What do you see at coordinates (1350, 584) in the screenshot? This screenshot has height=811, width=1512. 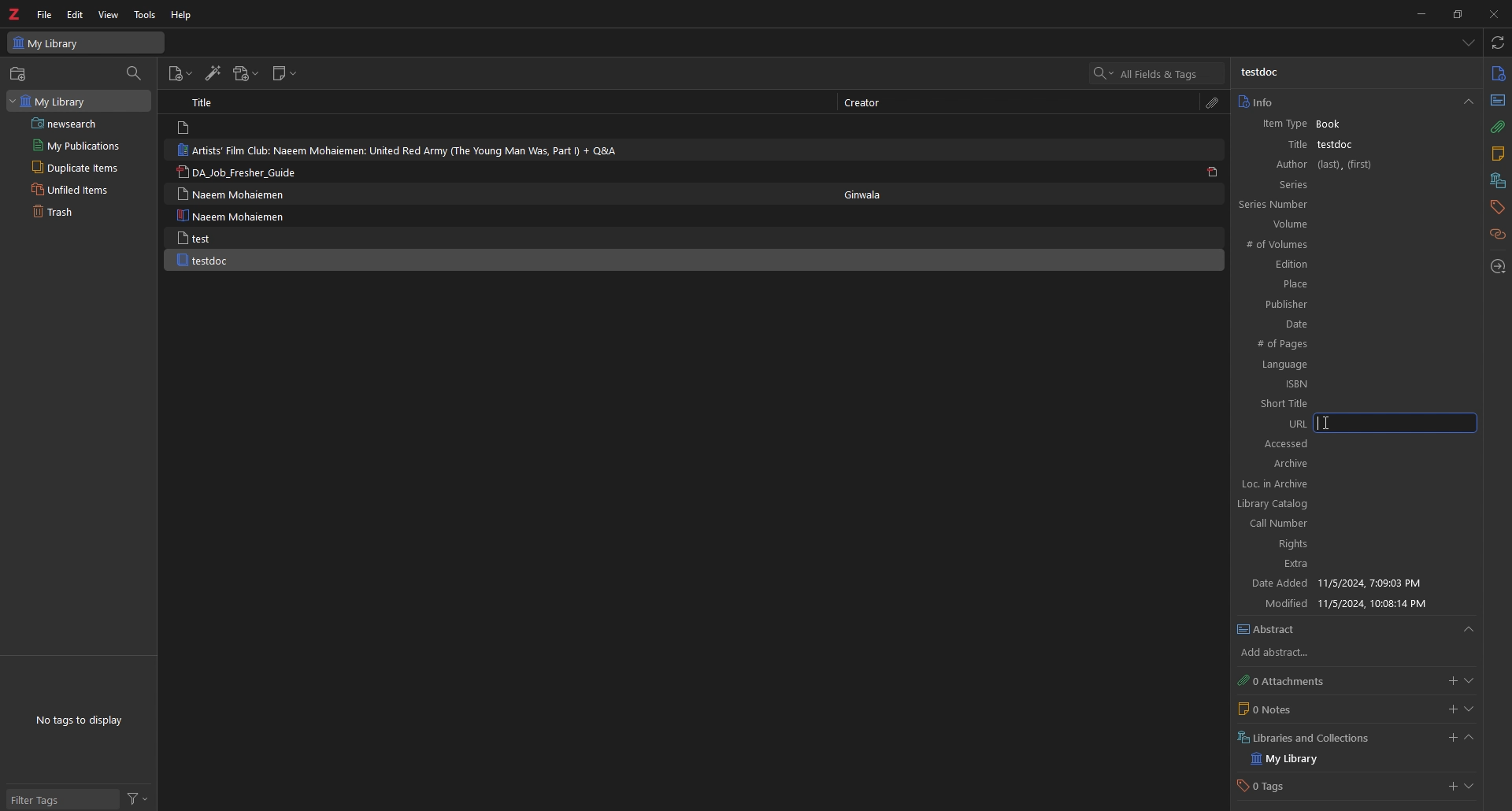 I see `Date Added 11/5/2024, 7:09:03 PM` at bounding box center [1350, 584].